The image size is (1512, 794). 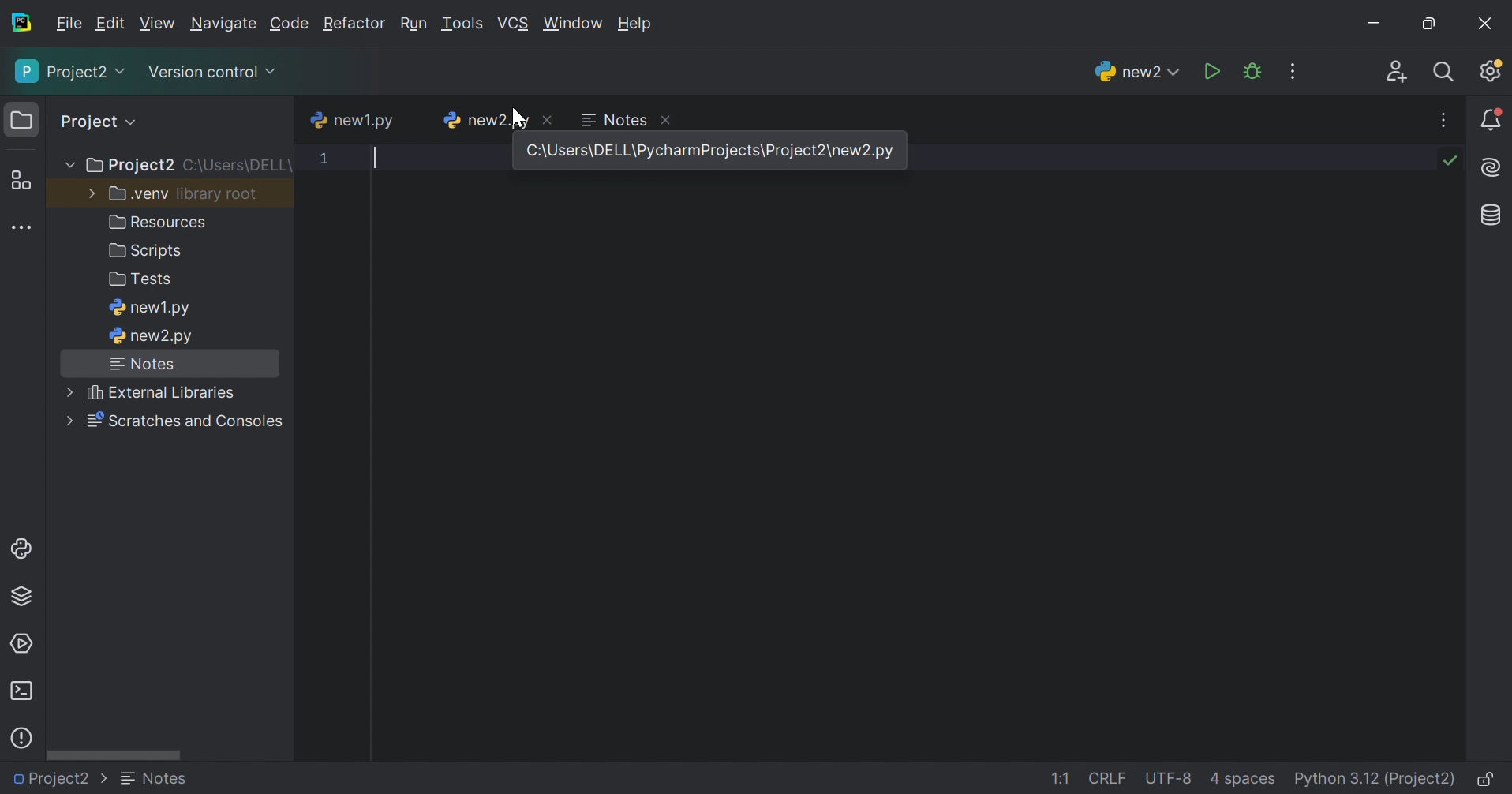 What do you see at coordinates (638, 24) in the screenshot?
I see `Help` at bounding box center [638, 24].